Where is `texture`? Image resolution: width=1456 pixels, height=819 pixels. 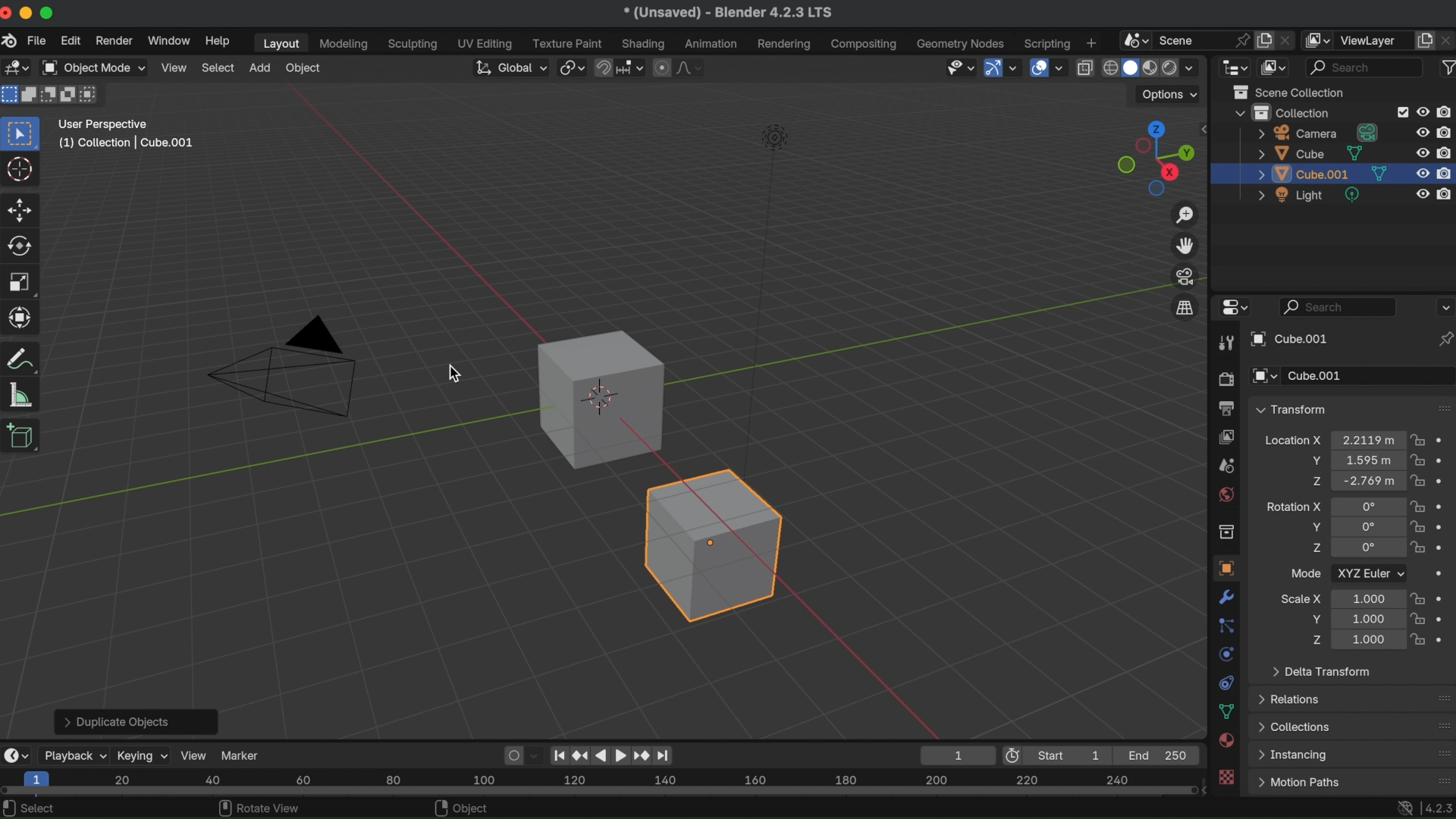
texture is located at coordinates (1228, 778).